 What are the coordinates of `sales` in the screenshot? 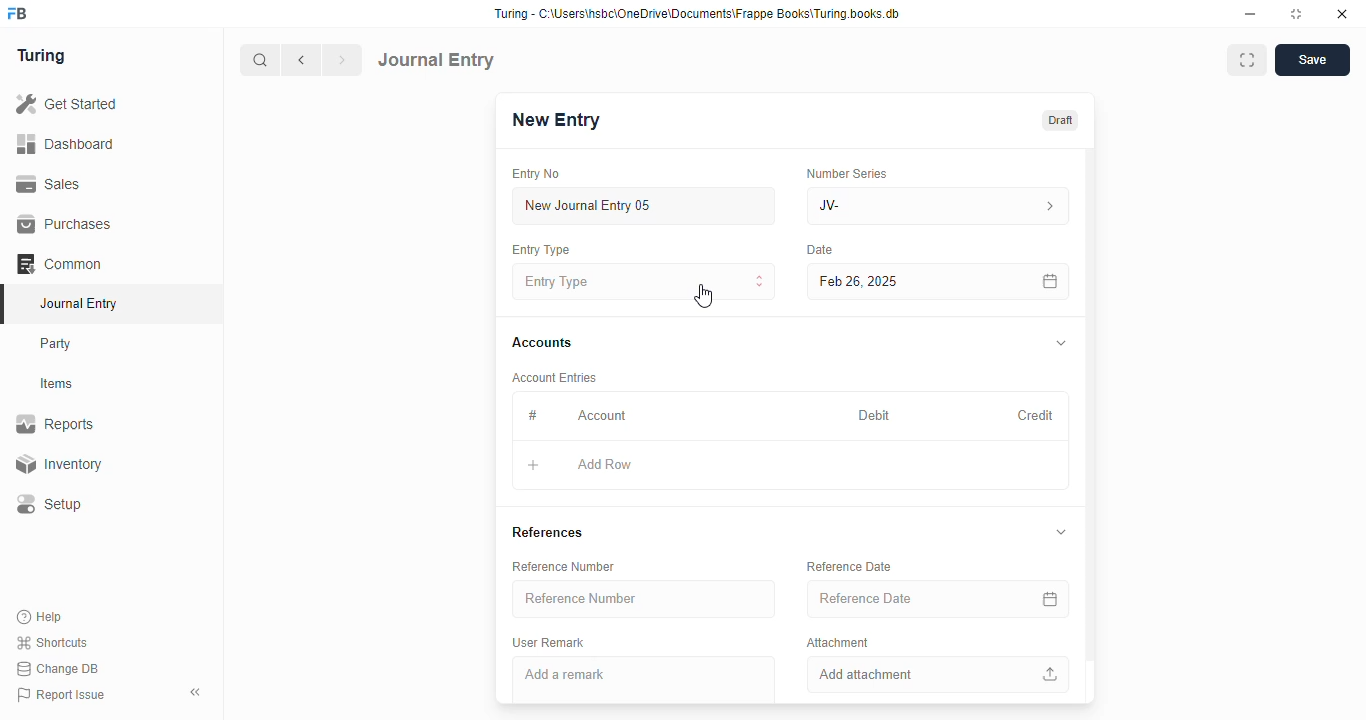 It's located at (49, 183).